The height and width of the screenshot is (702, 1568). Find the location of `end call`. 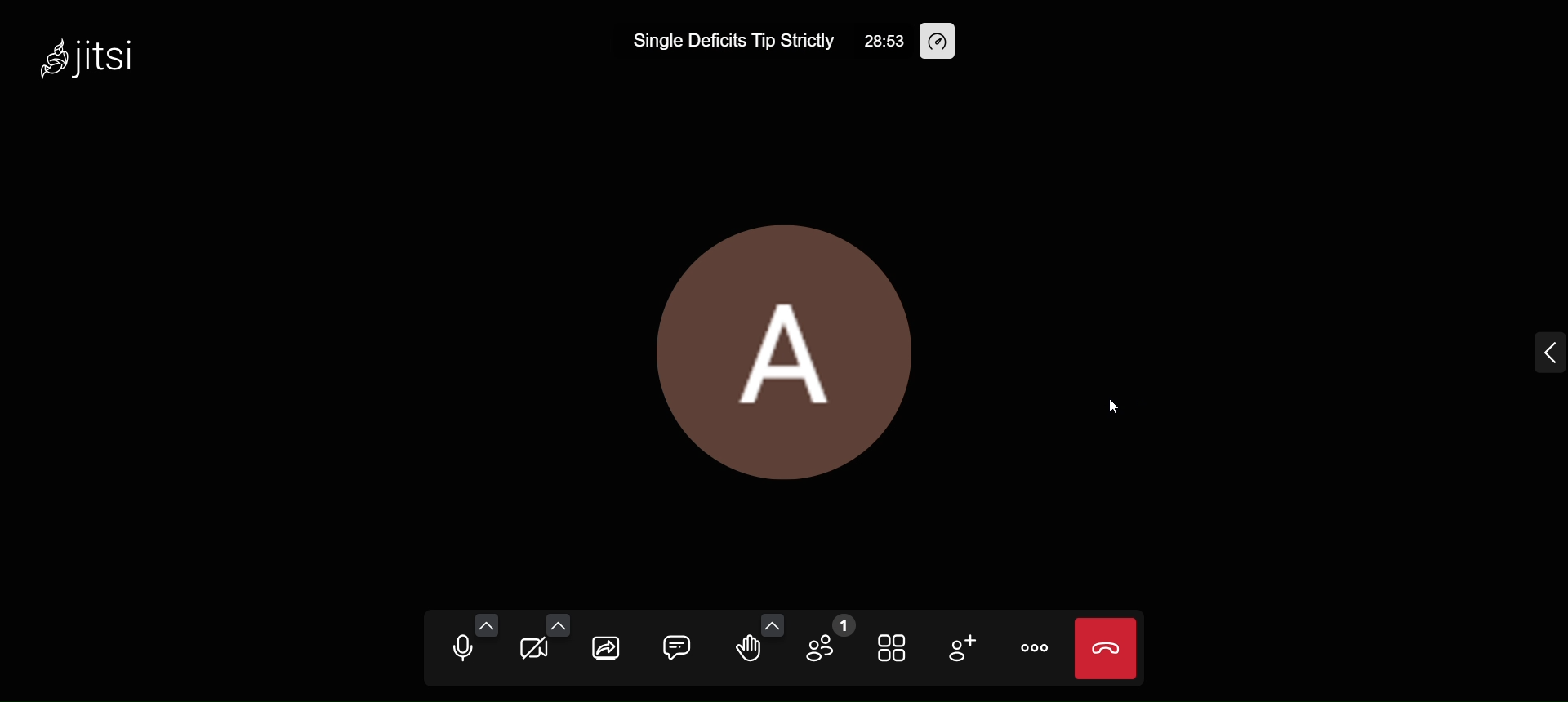

end call is located at coordinates (1107, 647).